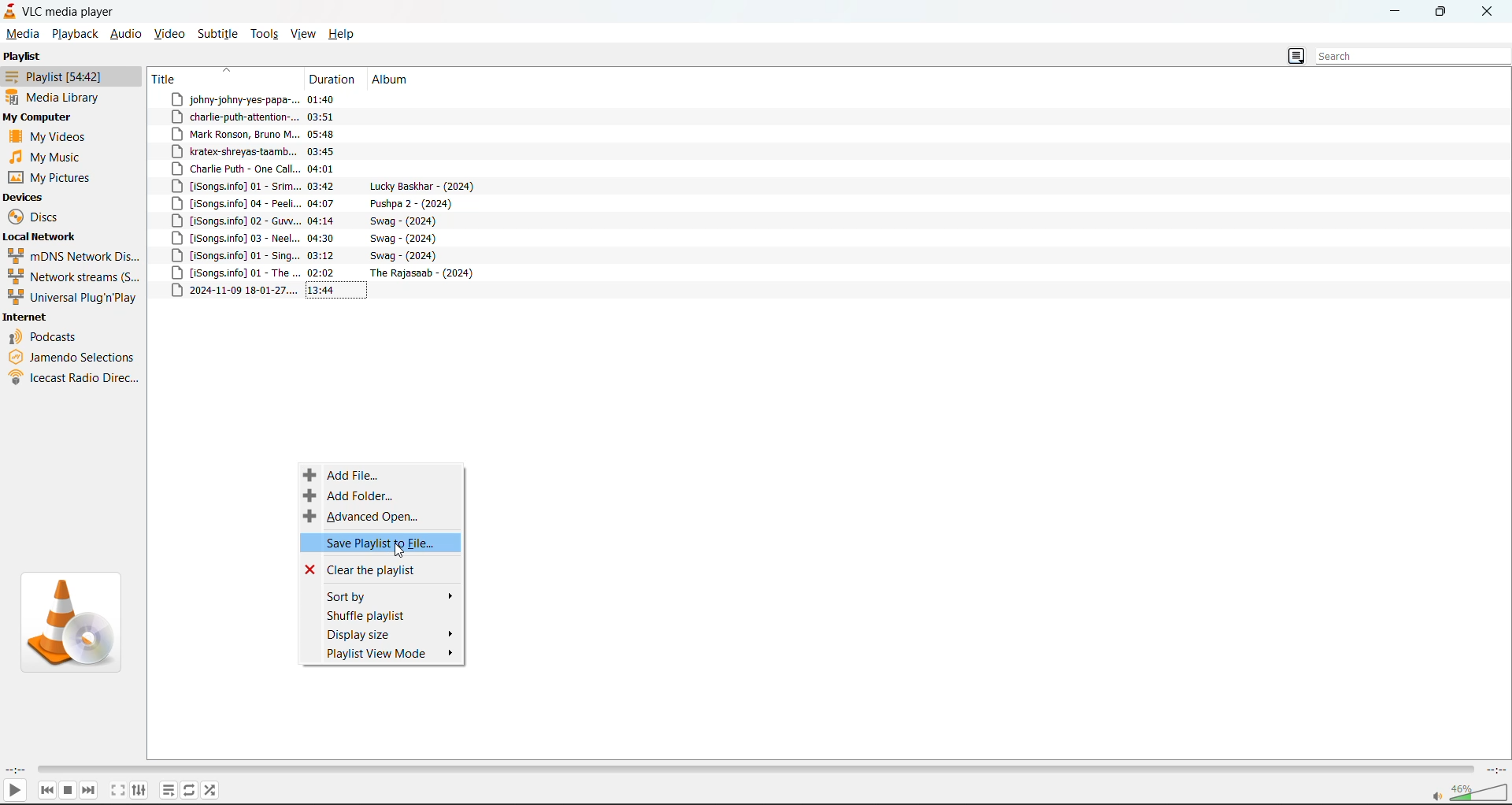 The image size is (1512, 805). Describe the element at coordinates (1490, 11) in the screenshot. I see `close` at that location.